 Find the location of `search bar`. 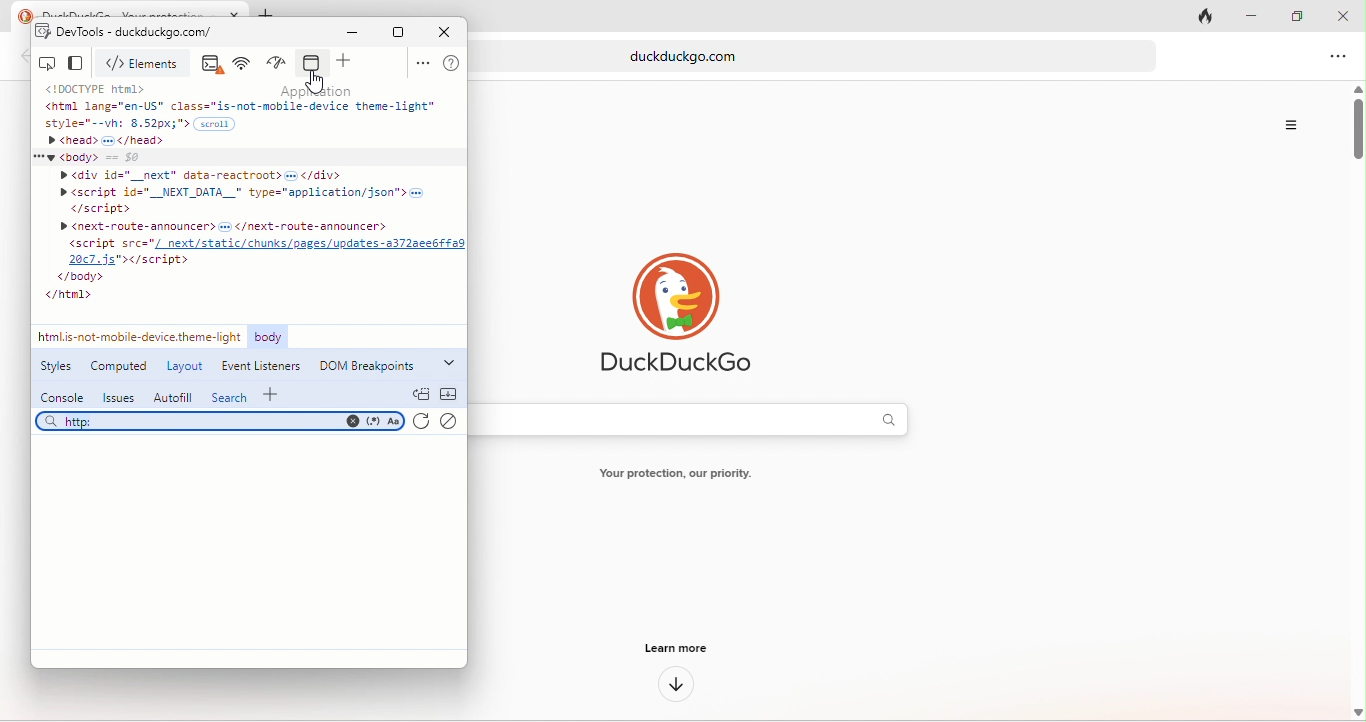

search bar is located at coordinates (700, 419).